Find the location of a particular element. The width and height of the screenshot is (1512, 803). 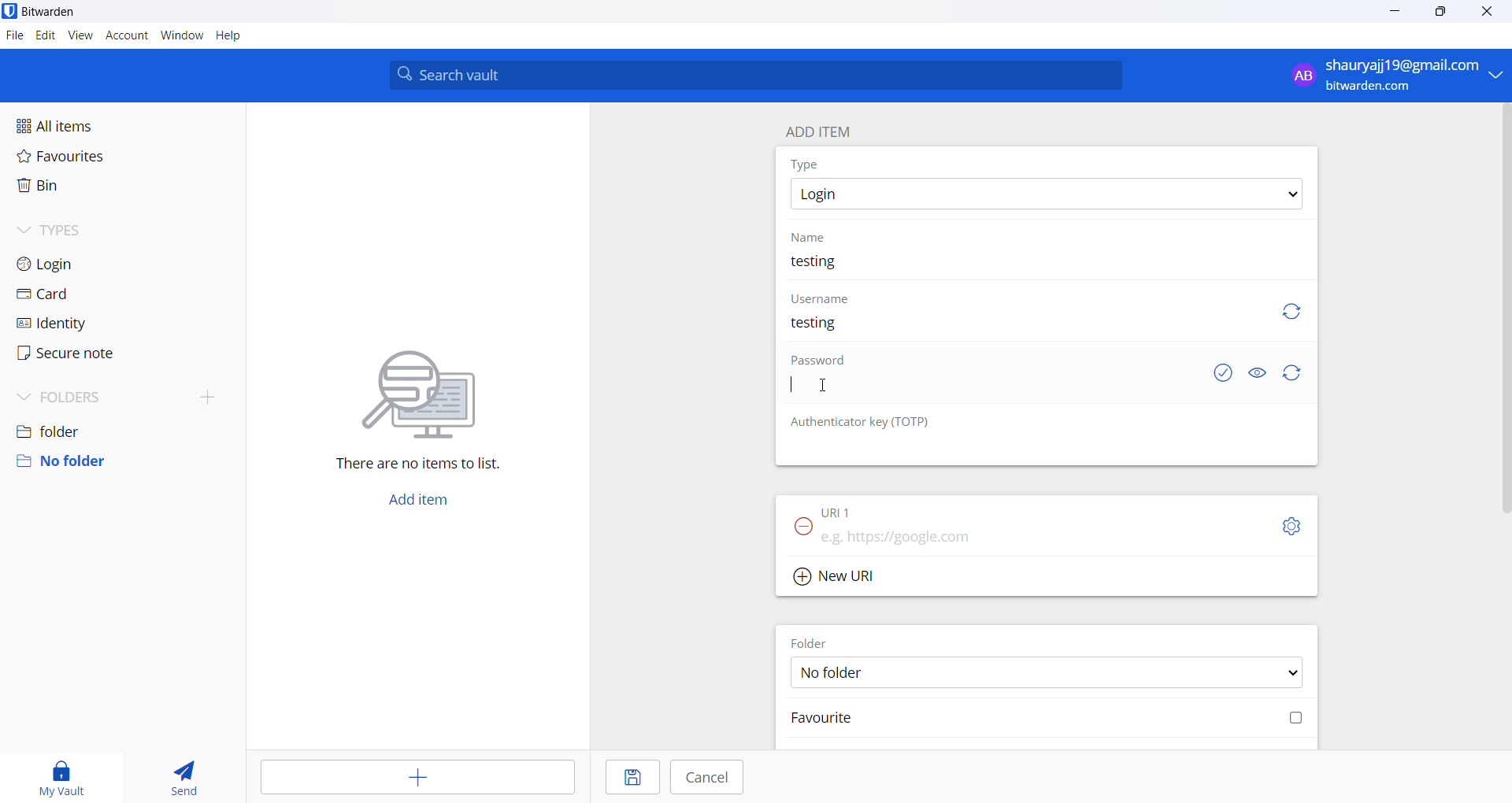

bin is located at coordinates (82, 191).